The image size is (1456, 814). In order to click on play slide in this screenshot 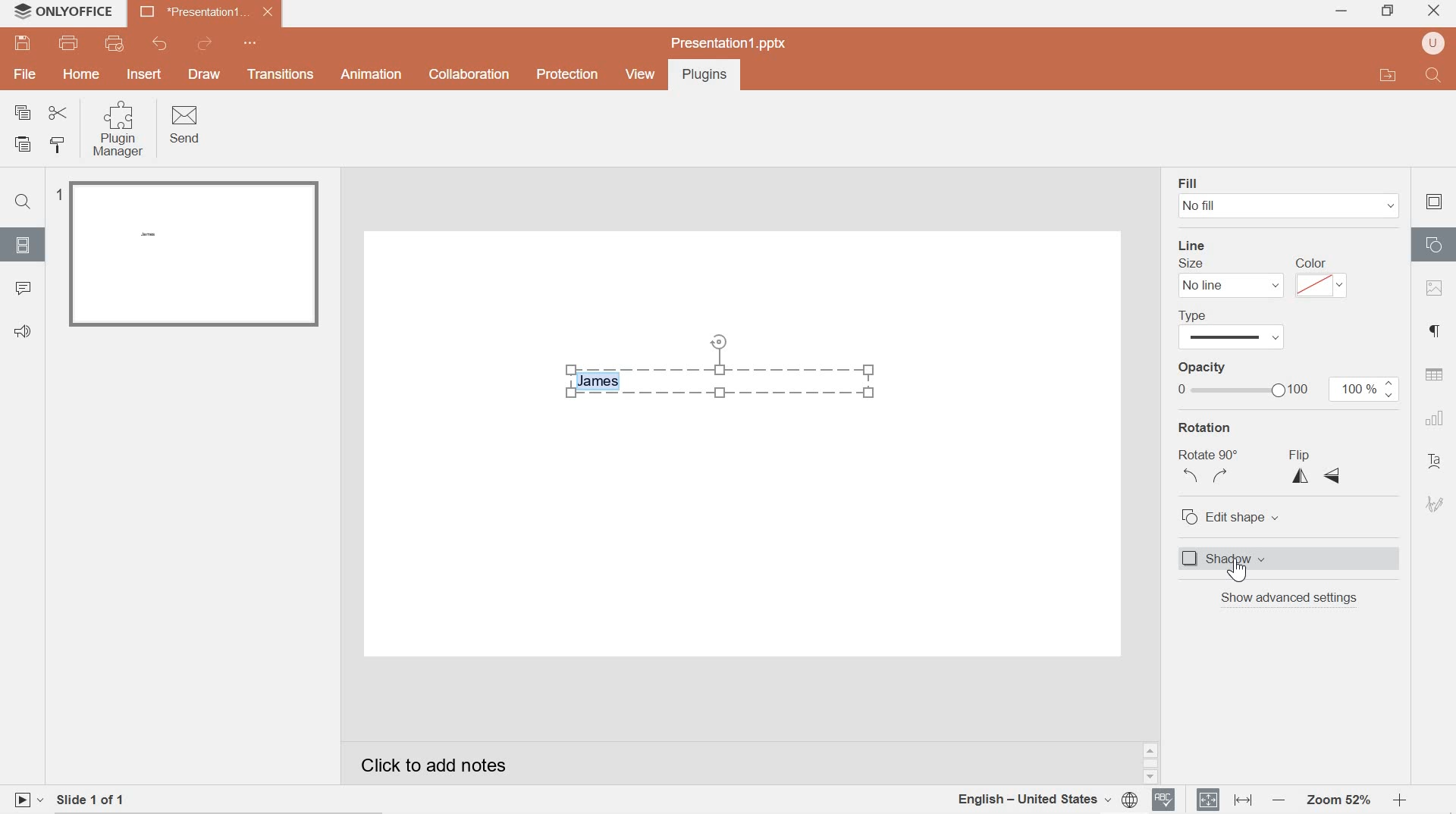, I will do `click(27, 799)`.